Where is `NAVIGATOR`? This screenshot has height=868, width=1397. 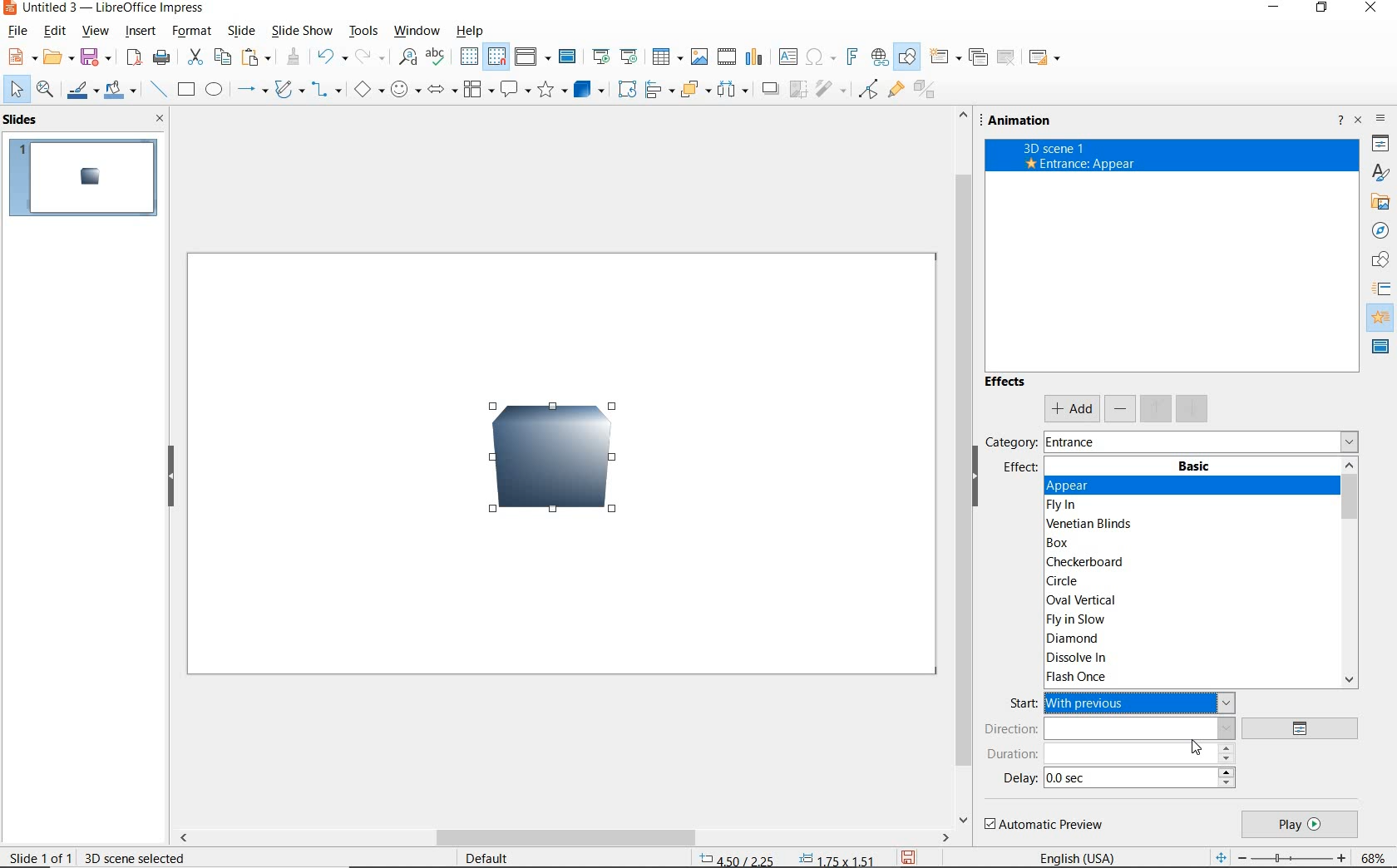 NAVIGATOR is located at coordinates (1380, 231).